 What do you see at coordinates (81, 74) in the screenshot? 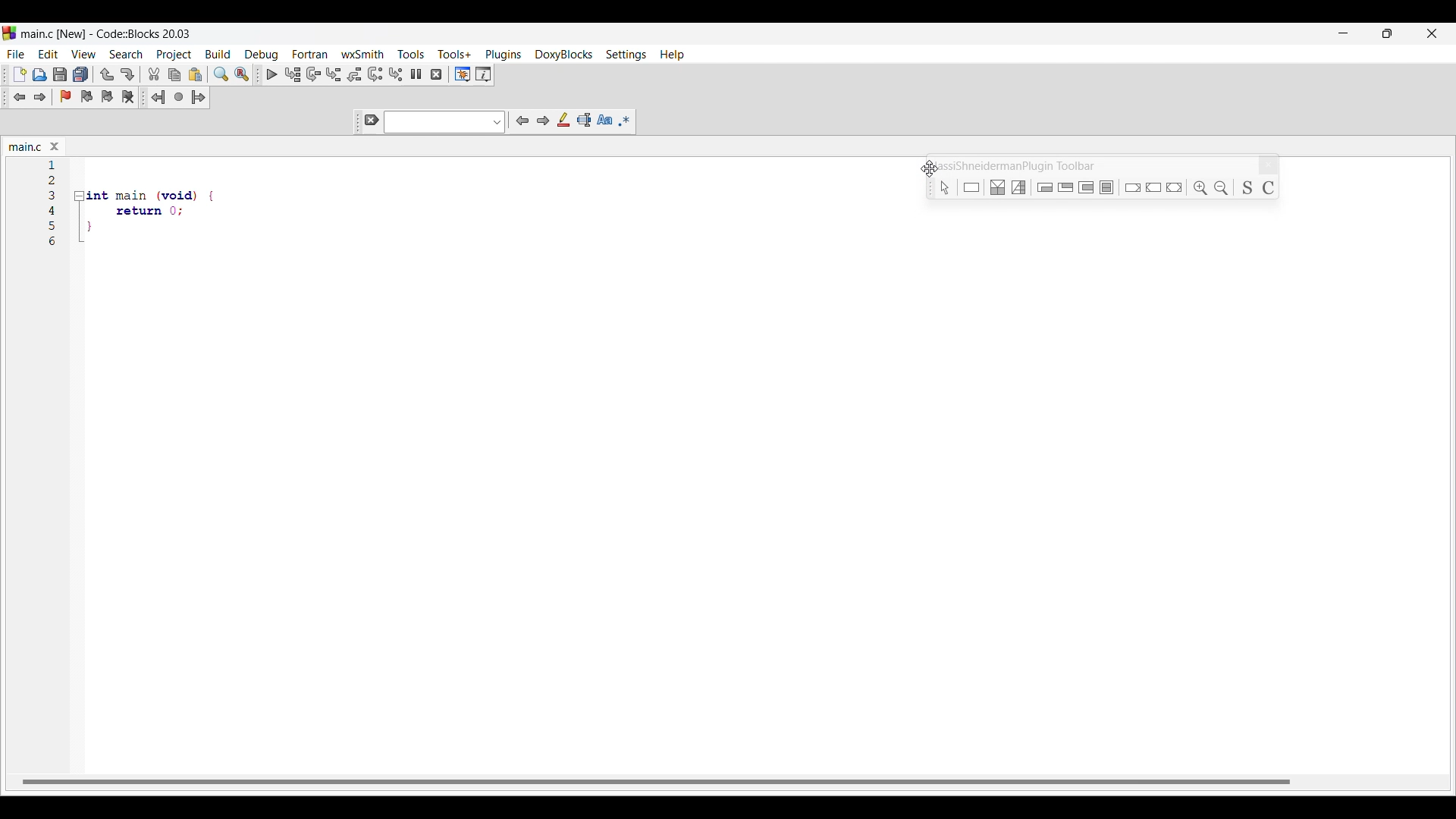
I see `Save everything` at bounding box center [81, 74].